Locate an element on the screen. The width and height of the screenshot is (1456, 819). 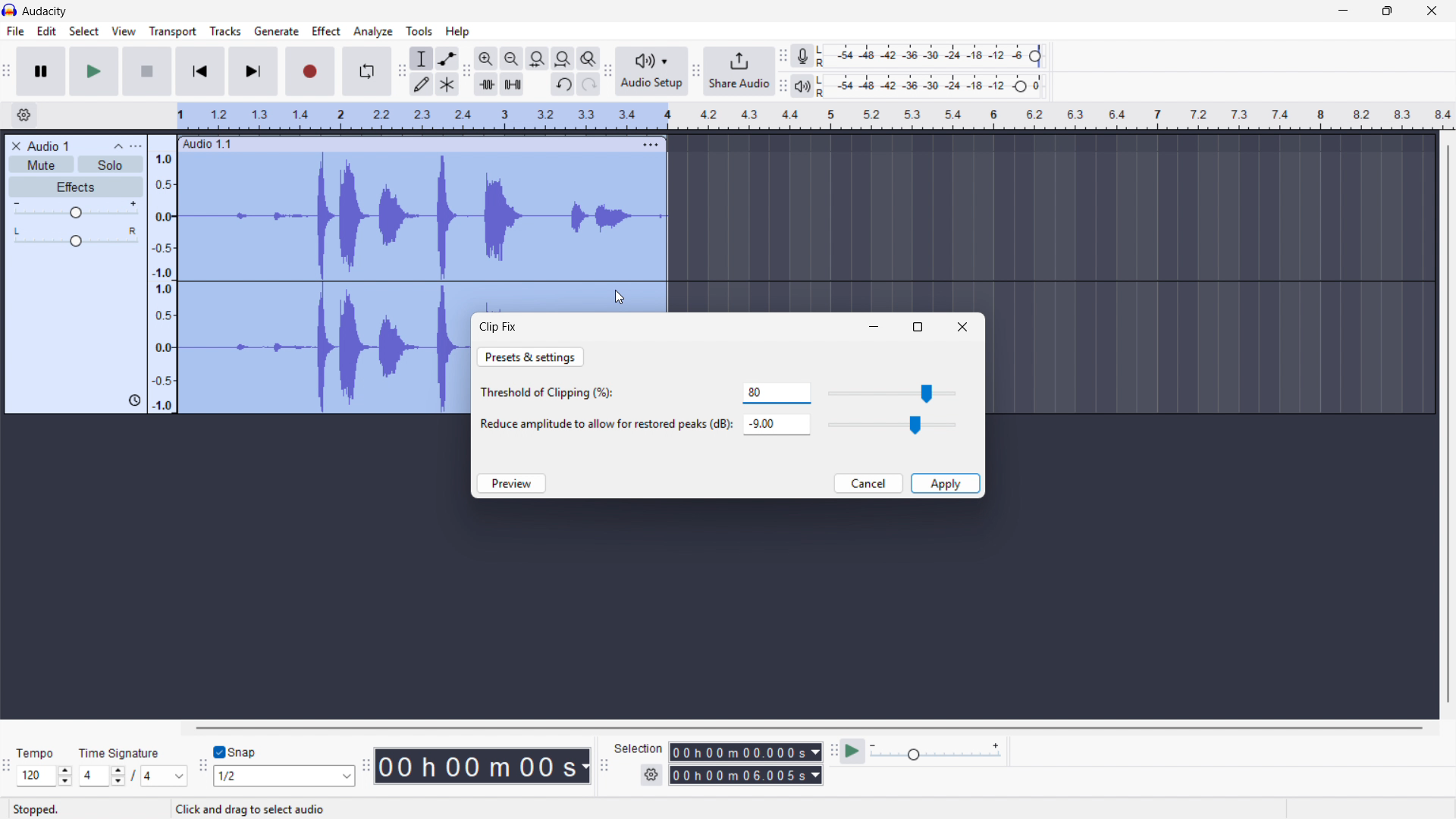
Tracks is located at coordinates (225, 30).